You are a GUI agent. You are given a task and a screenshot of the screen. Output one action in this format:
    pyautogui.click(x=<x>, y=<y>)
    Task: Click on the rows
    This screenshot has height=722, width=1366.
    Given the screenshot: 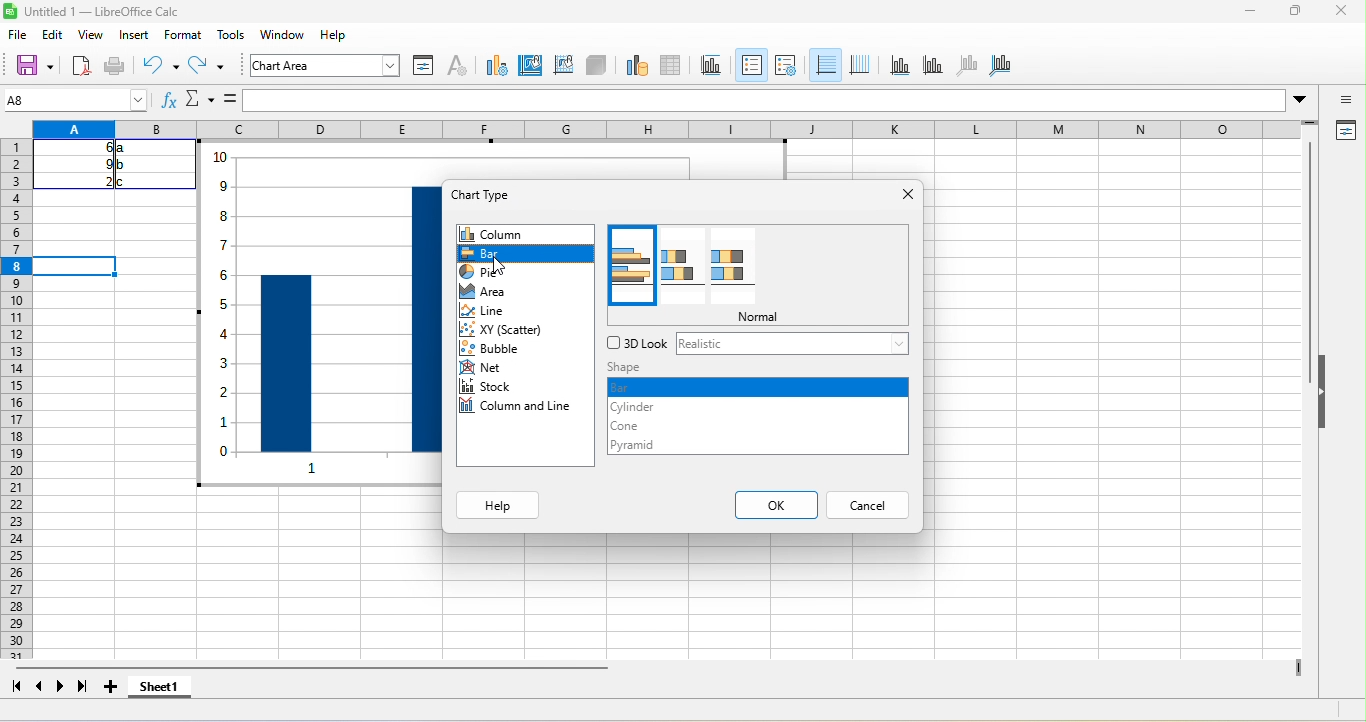 What is the action you would take?
    pyautogui.click(x=19, y=421)
    